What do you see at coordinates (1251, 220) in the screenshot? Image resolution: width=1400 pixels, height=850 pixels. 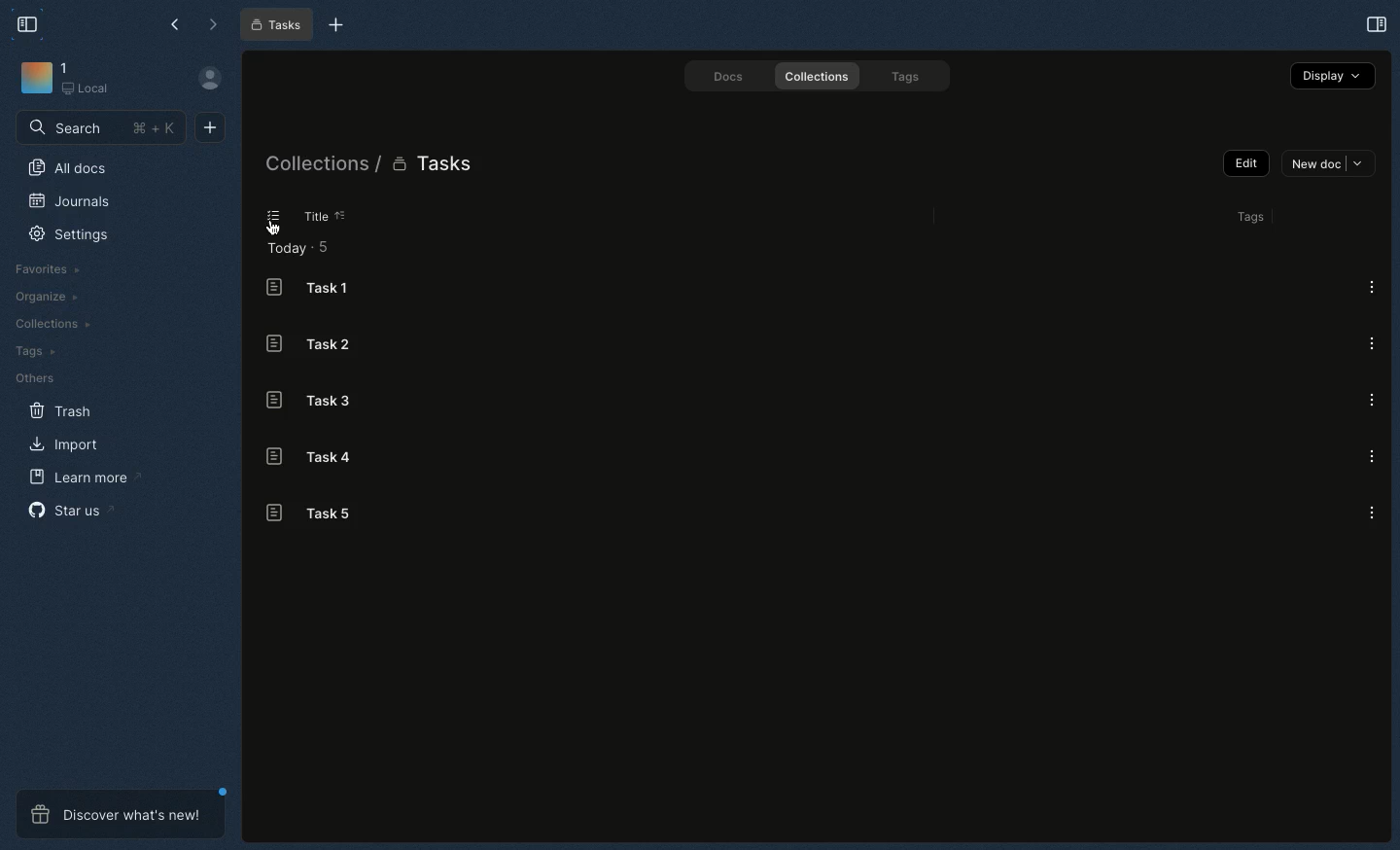 I see `Tags` at bounding box center [1251, 220].